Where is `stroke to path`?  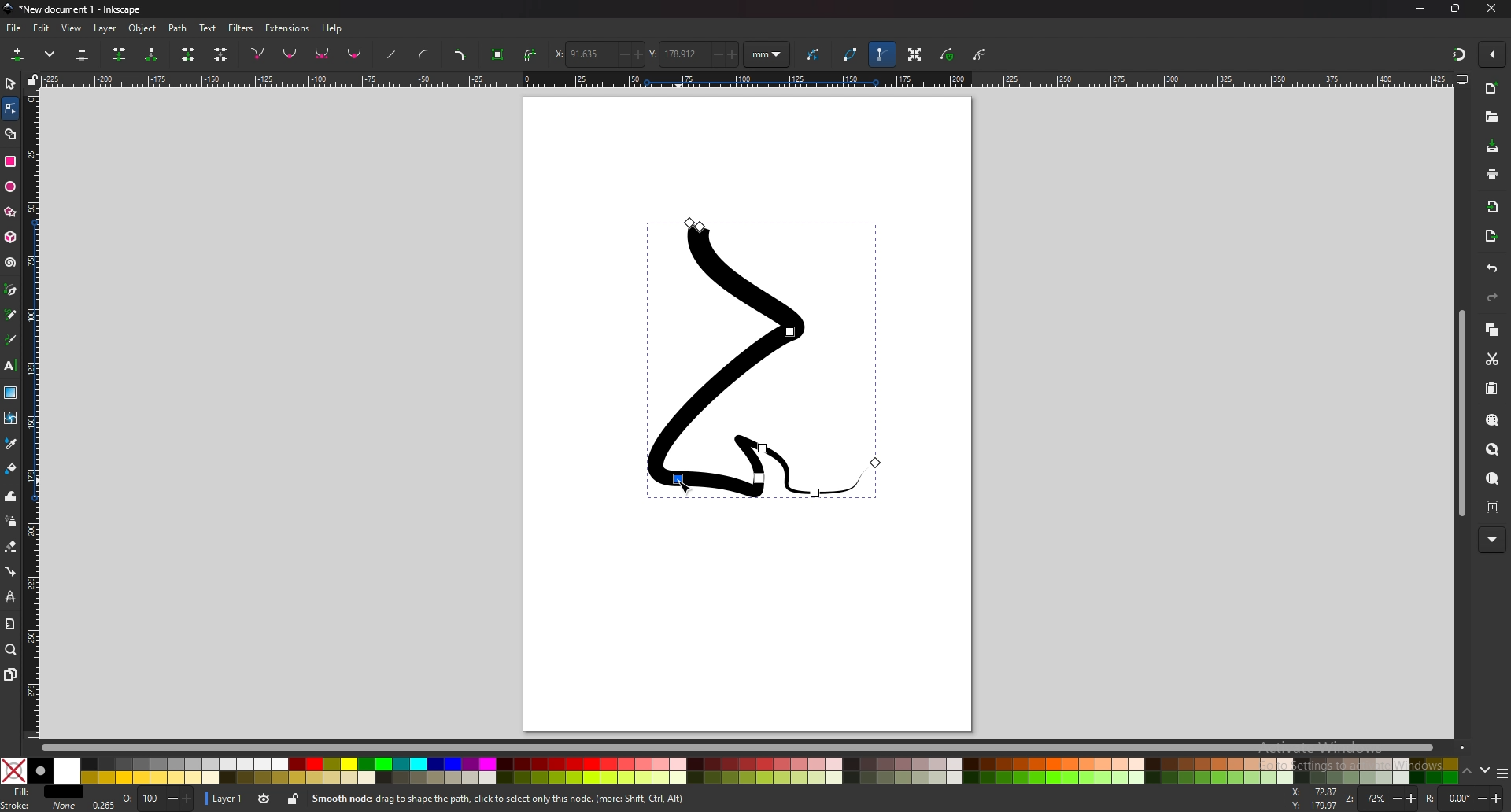
stroke to path is located at coordinates (531, 54).